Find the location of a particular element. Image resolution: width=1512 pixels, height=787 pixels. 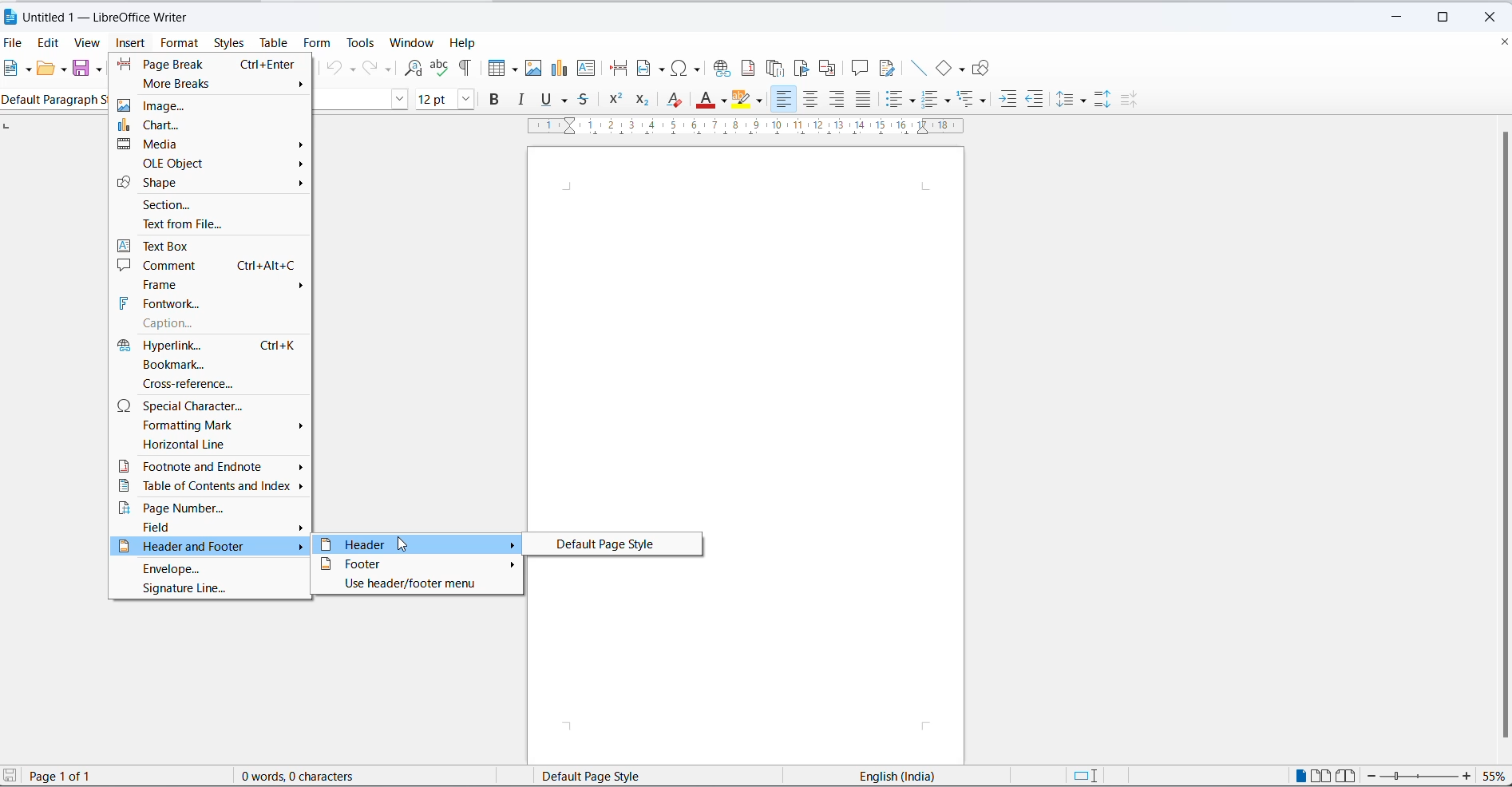

save is located at coordinates (80, 68).